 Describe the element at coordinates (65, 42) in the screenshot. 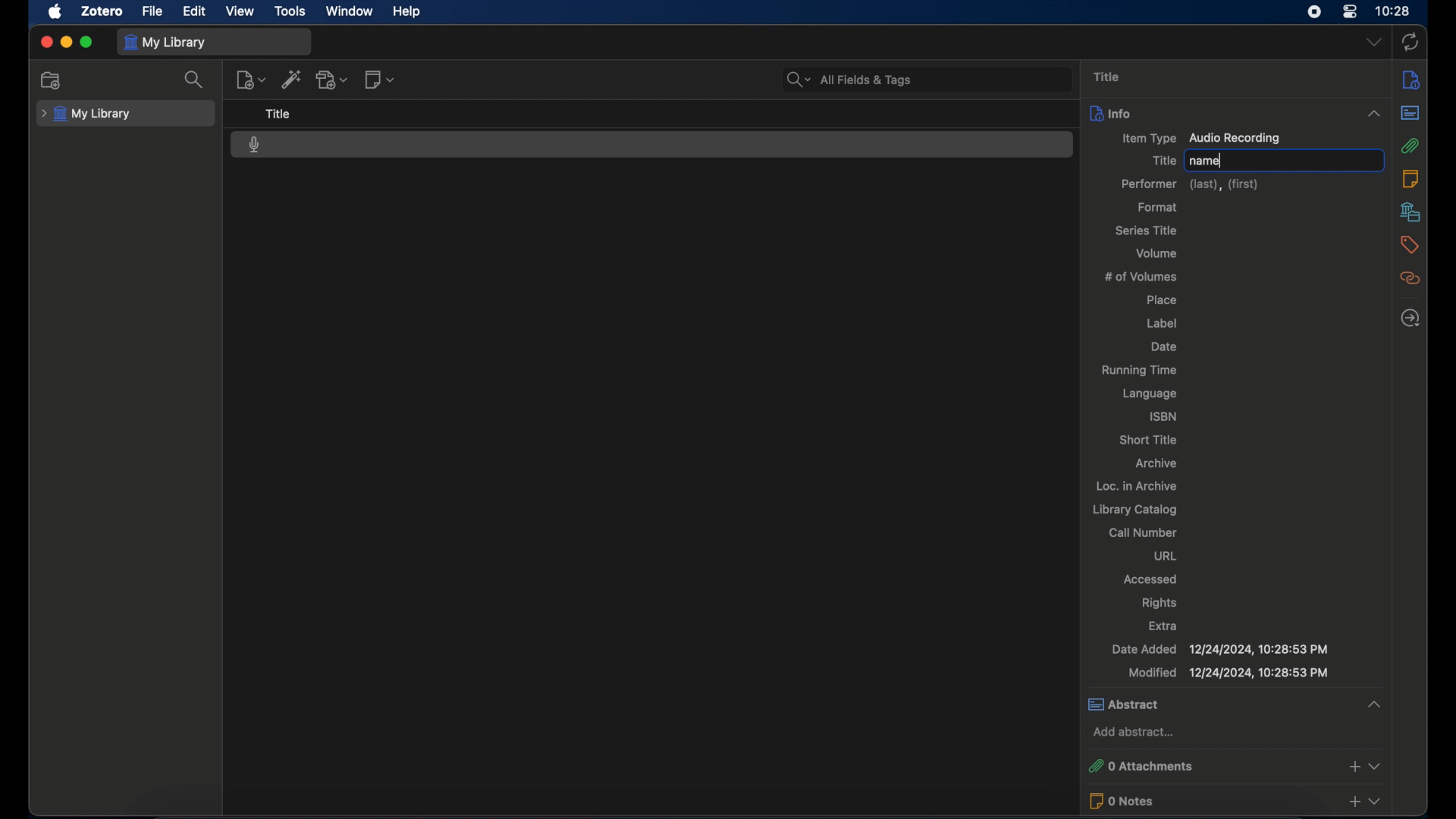

I see `minimize` at that location.